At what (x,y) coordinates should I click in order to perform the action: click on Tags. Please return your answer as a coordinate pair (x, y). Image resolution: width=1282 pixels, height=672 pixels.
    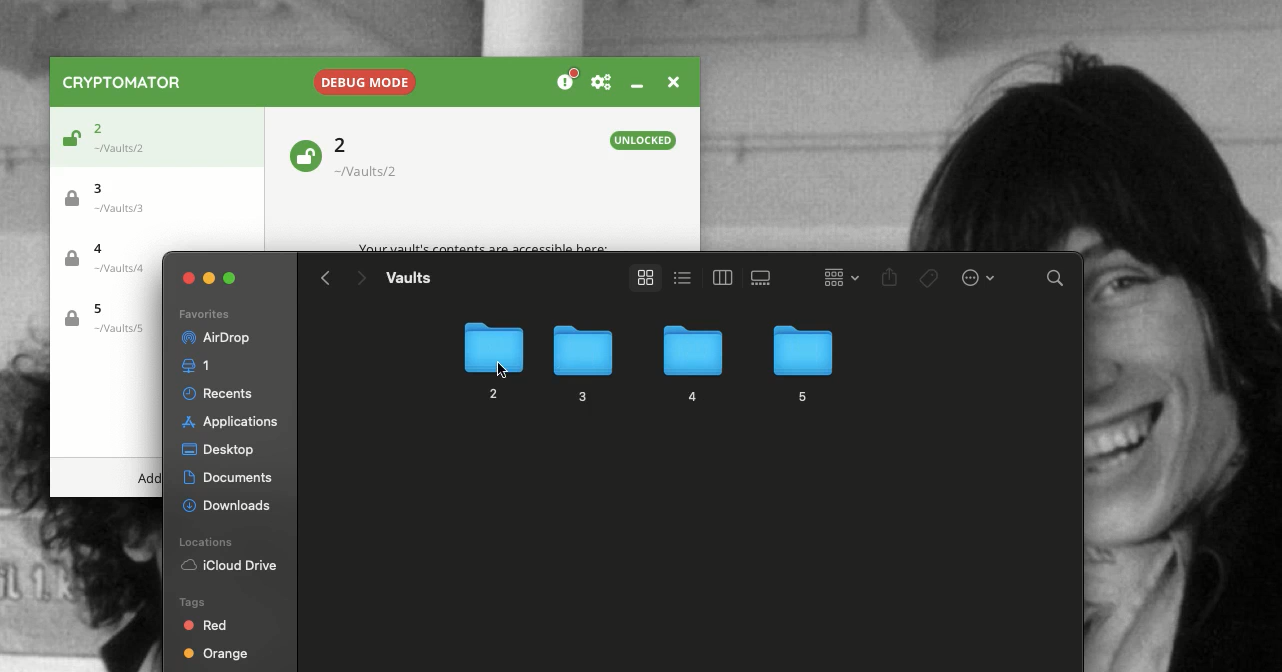
    Looking at the image, I should click on (930, 278).